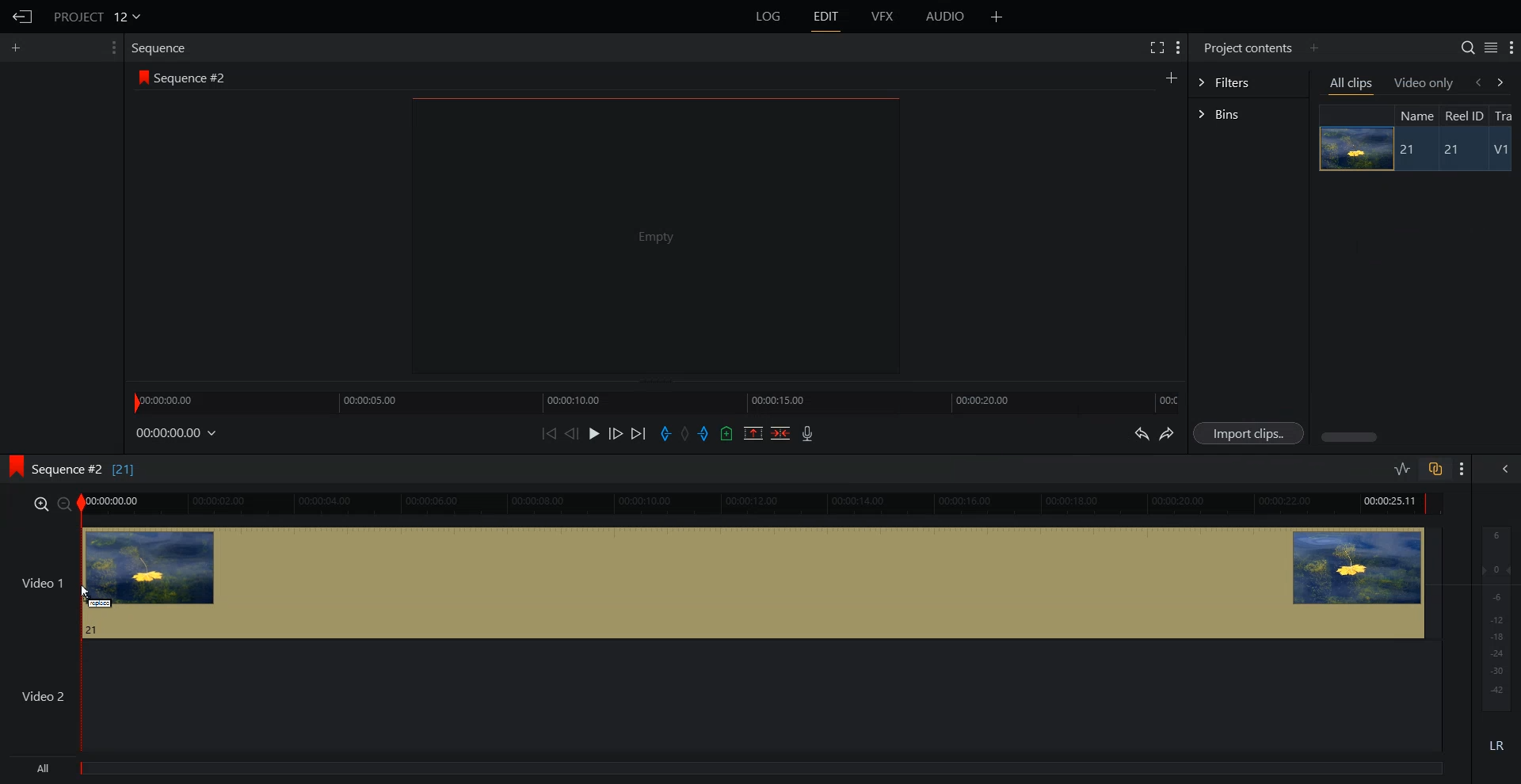 Image resolution: width=1521 pixels, height=784 pixels. Describe the element at coordinates (113, 48) in the screenshot. I see `Show Setting Menu` at that location.